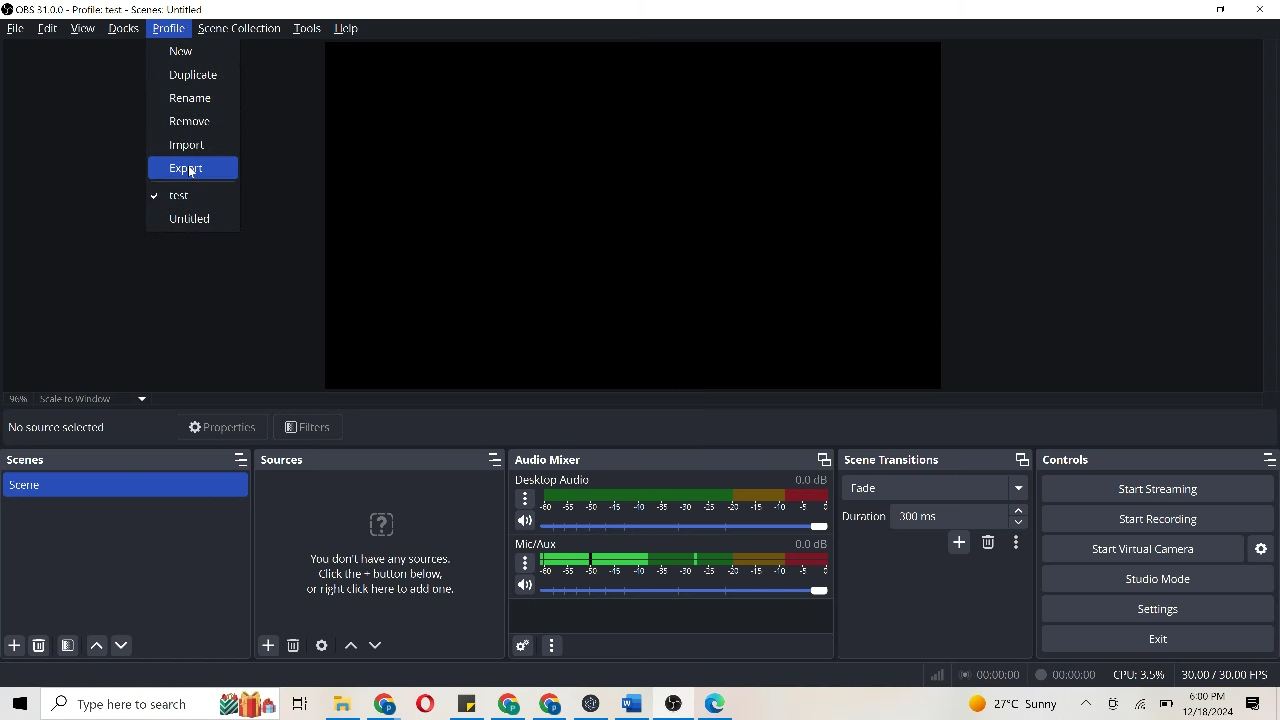 The width and height of the screenshot is (1280, 720). Describe the element at coordinates (1261, 459) in the screenshot. I see `maximize` at that location.